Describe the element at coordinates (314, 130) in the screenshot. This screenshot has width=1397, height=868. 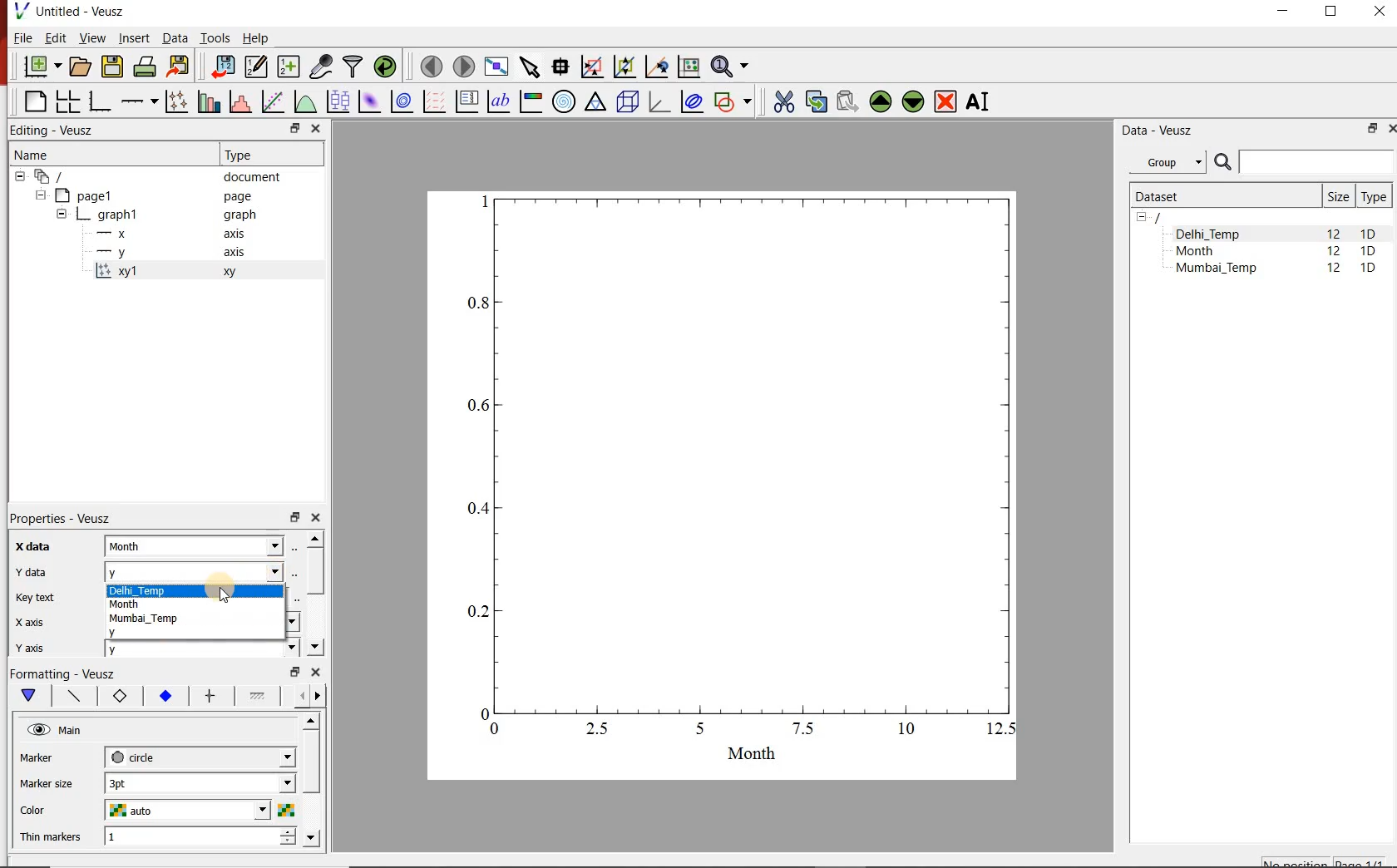
I see `close` at that location.